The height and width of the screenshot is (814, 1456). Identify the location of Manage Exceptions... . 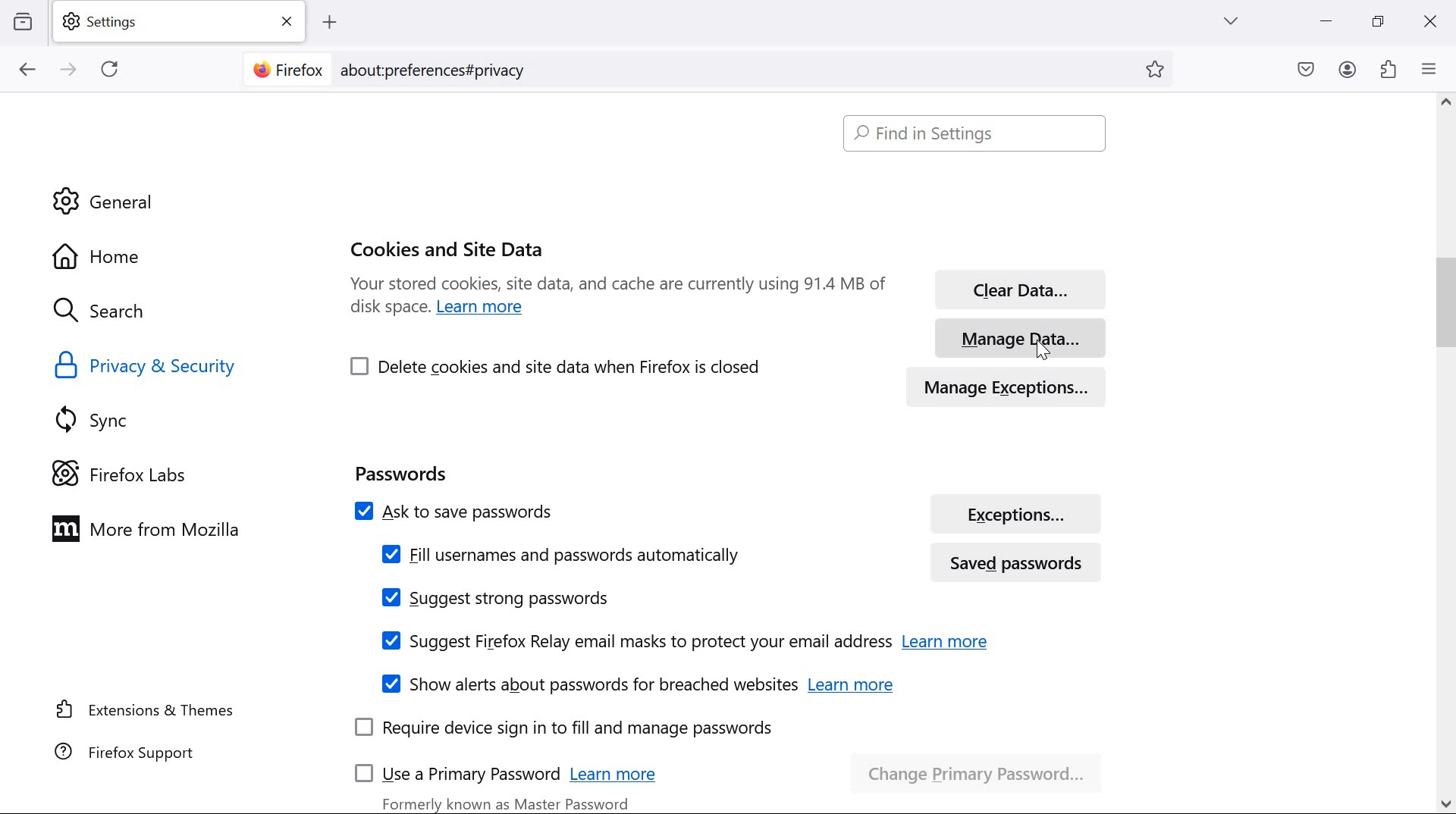
(1021, 384).